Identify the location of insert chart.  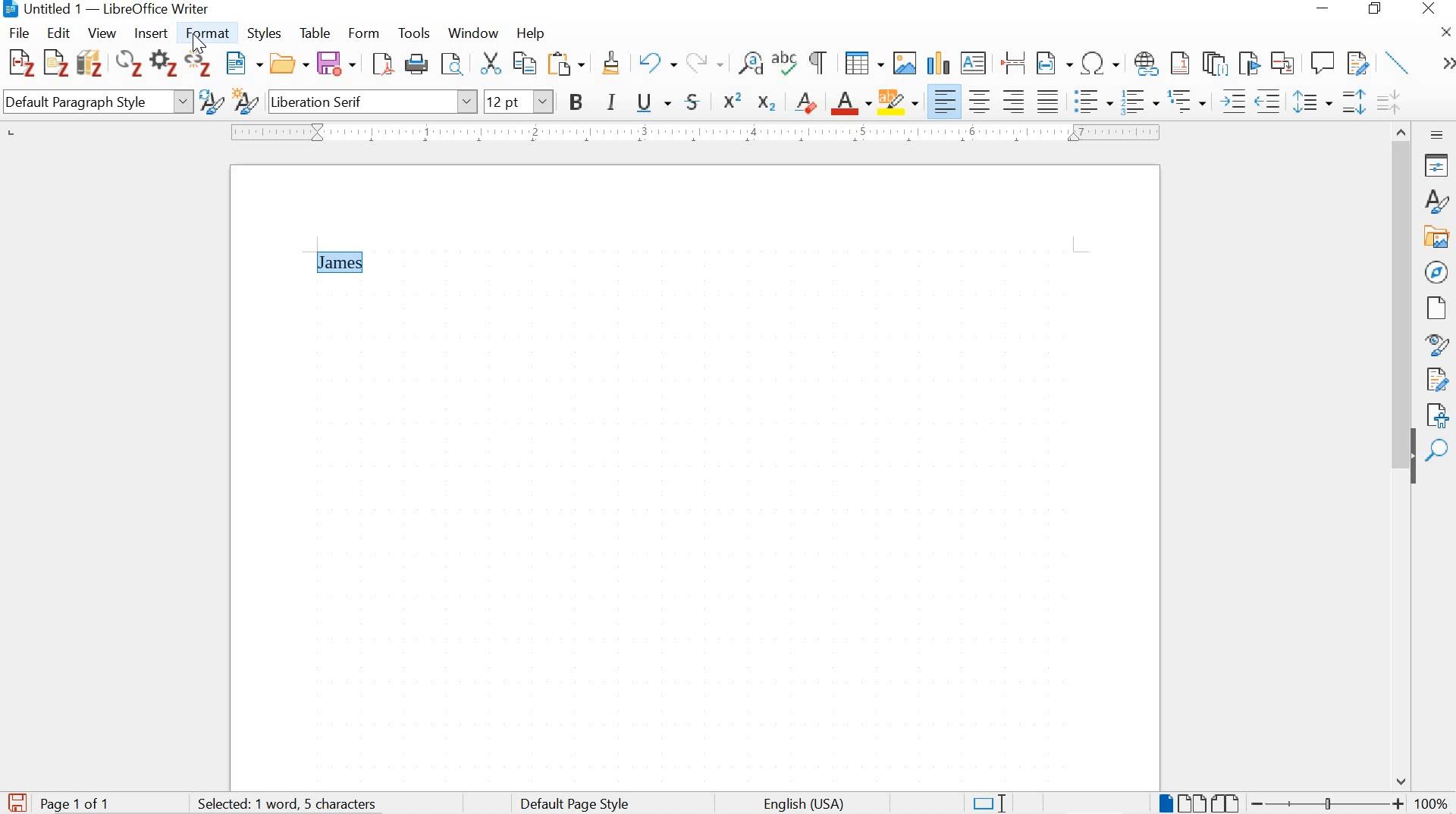
(937, 64).